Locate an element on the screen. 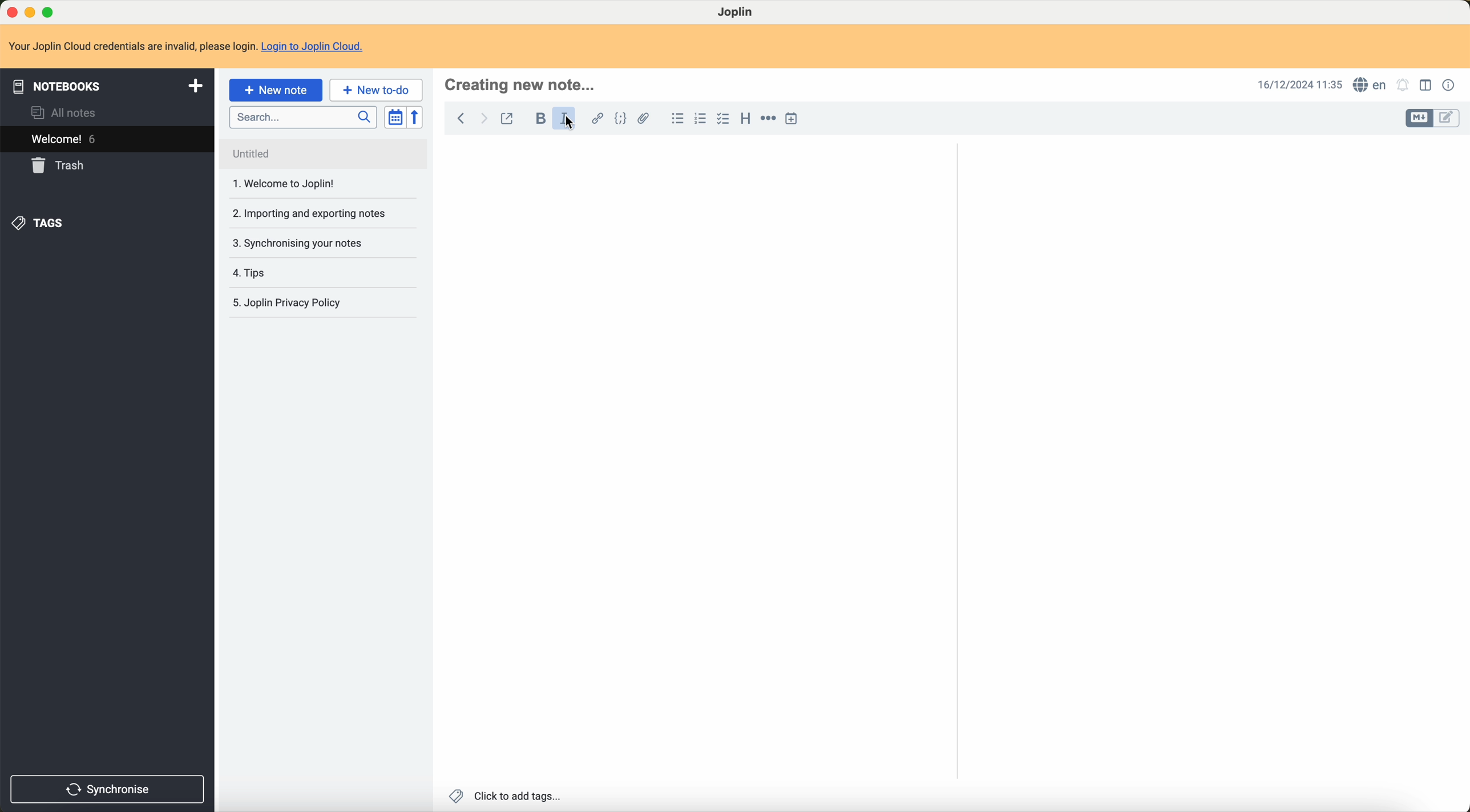  minimize is located at coordinates (30, 12).